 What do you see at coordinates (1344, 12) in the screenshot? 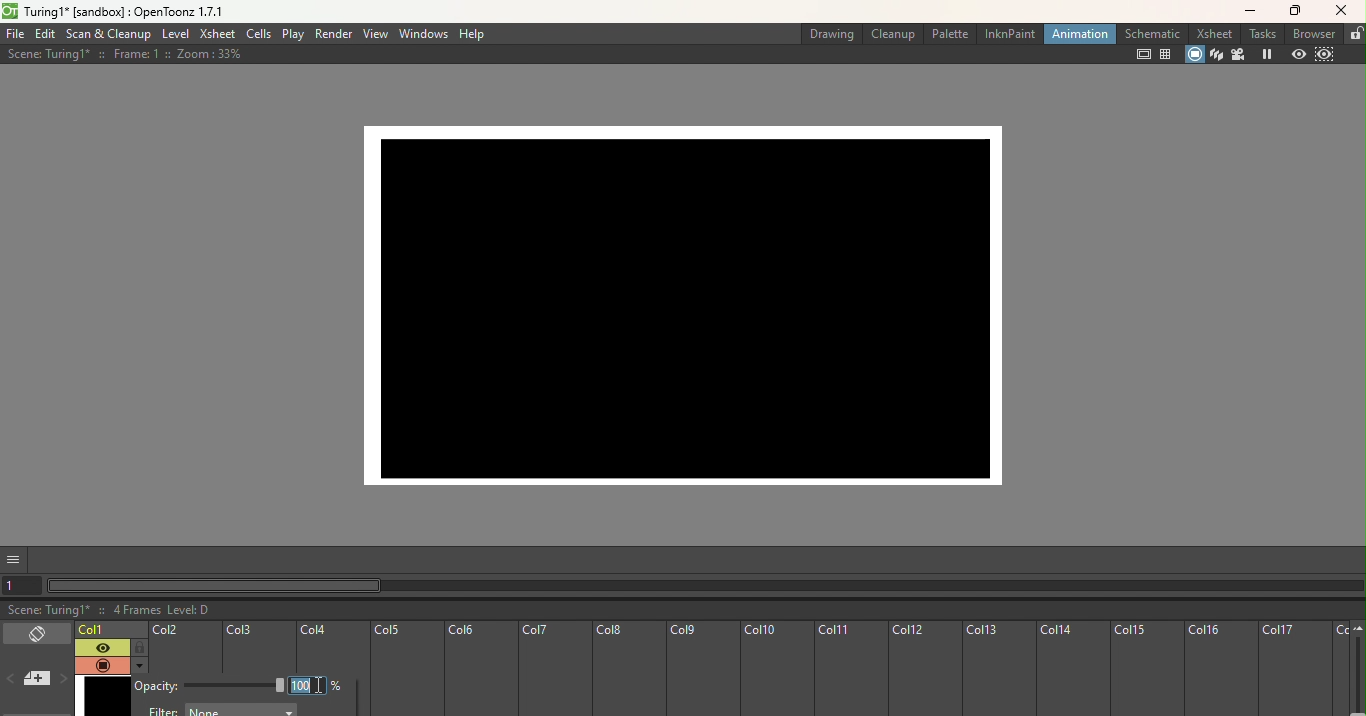
I see `Close` at bounding box center [1344, 12].